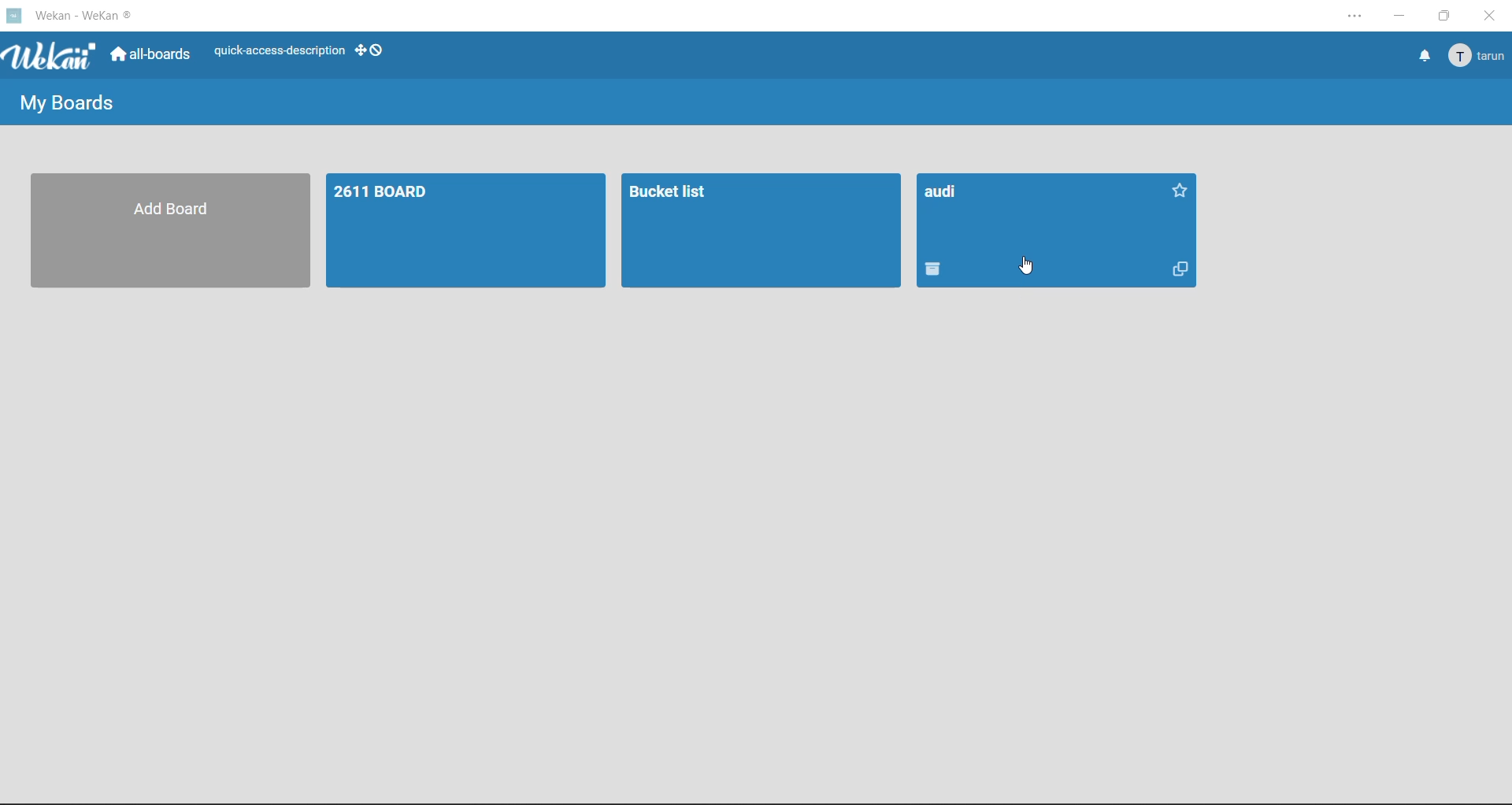 Image resolution: width=1512 pixels, height=805 pixels. Describe the element at coordinates (1175, 271) in the screenshot. I see `Copy` at that location.